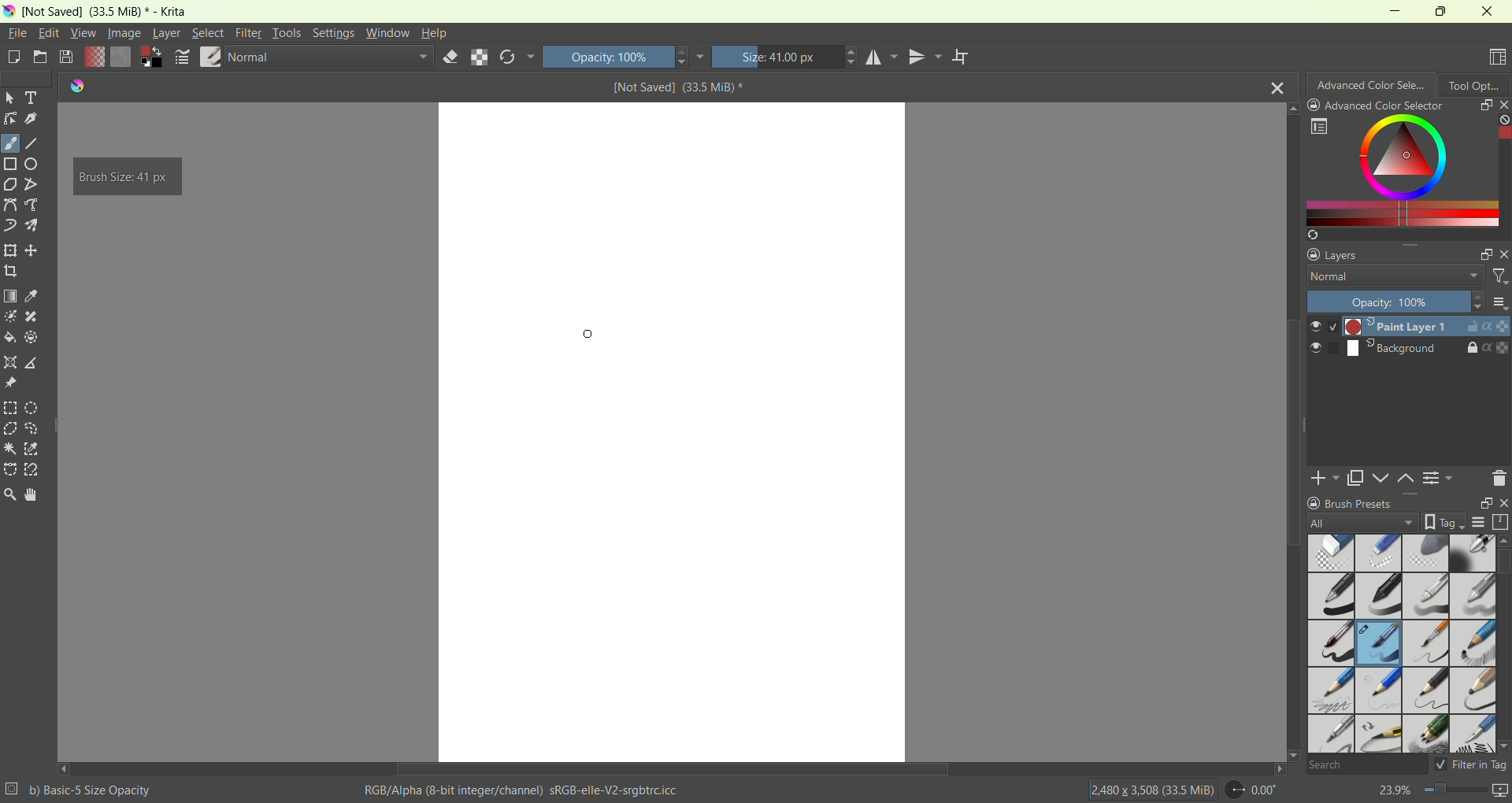 The height and width of the screenshot is (803, 1512). Describe the element at coordinates (1485, 104) in the screenshot. I see `float docker` at that location.